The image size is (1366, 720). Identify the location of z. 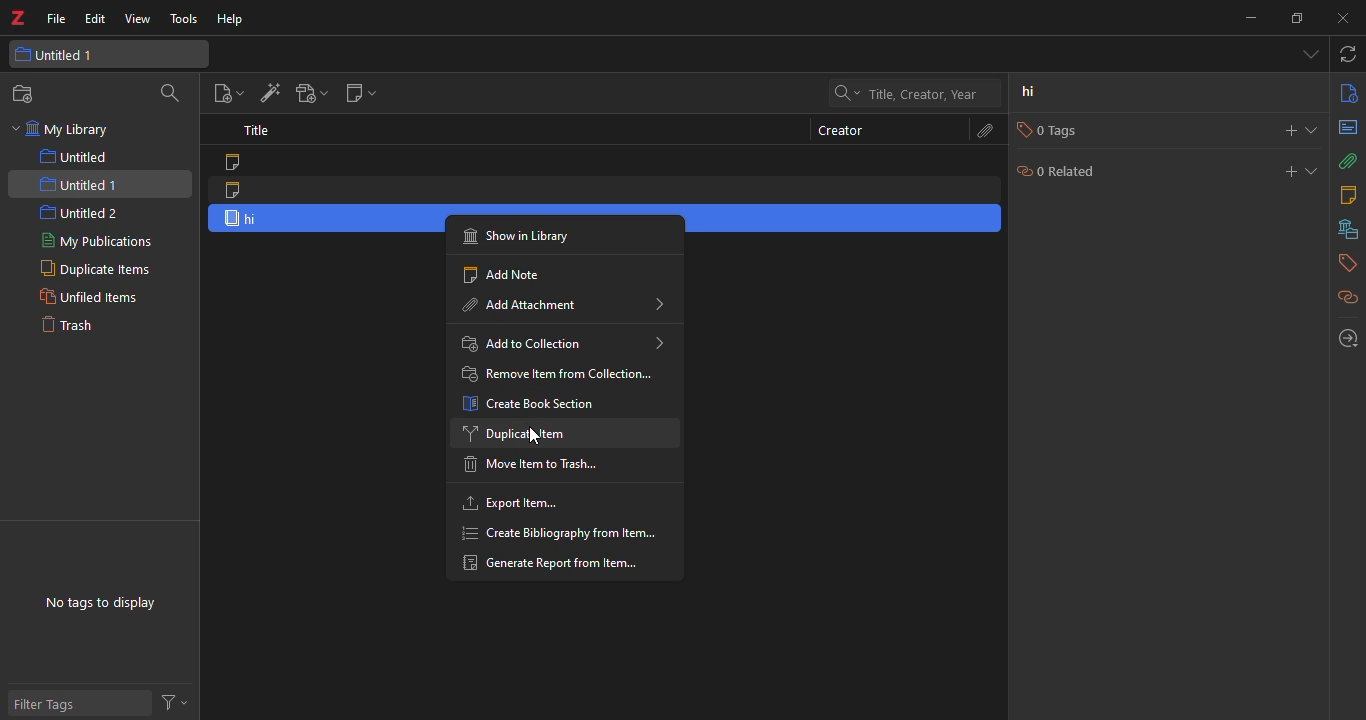
(18, 17).